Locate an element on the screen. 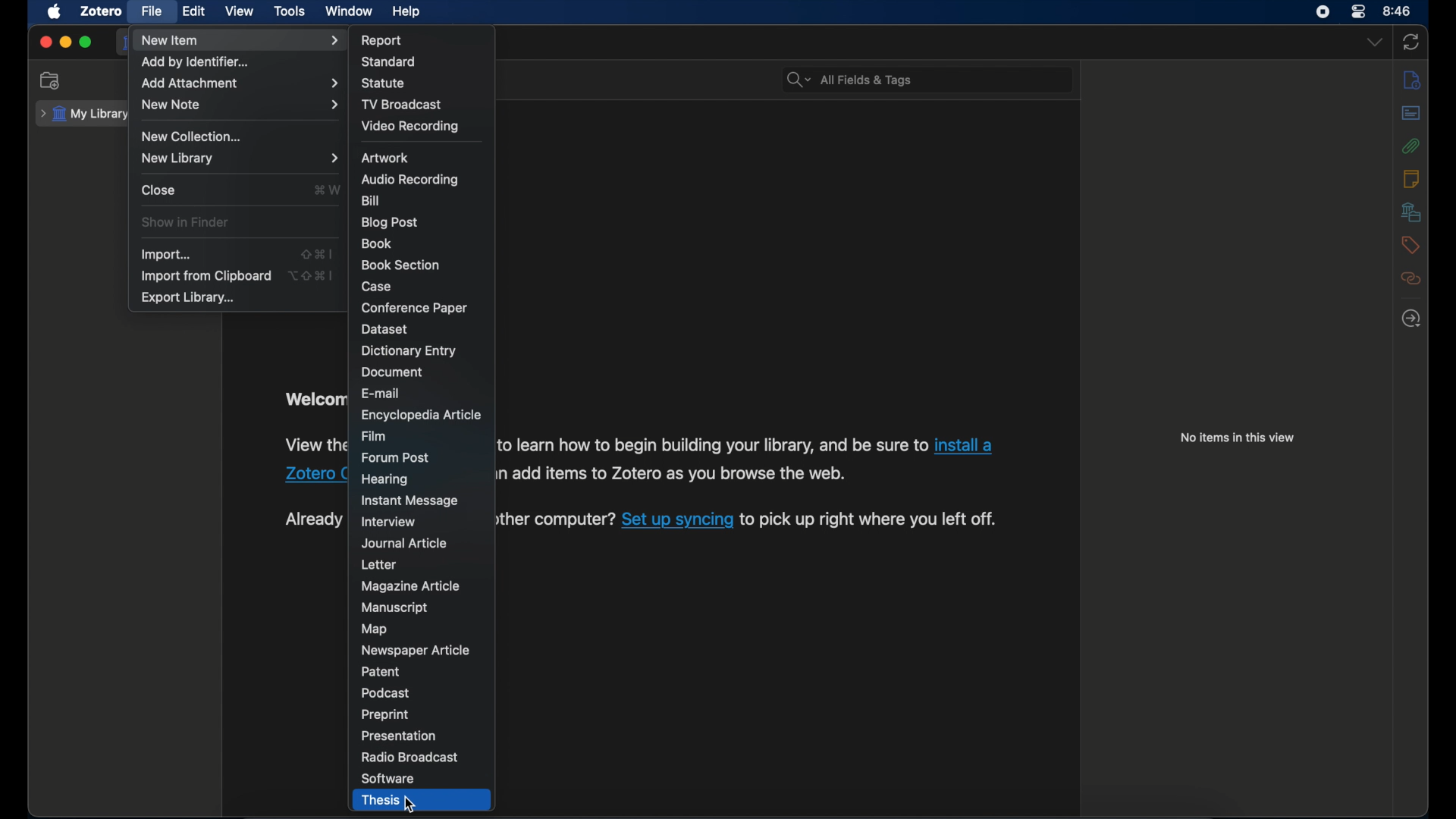  film is located at coordinates (374, 435).